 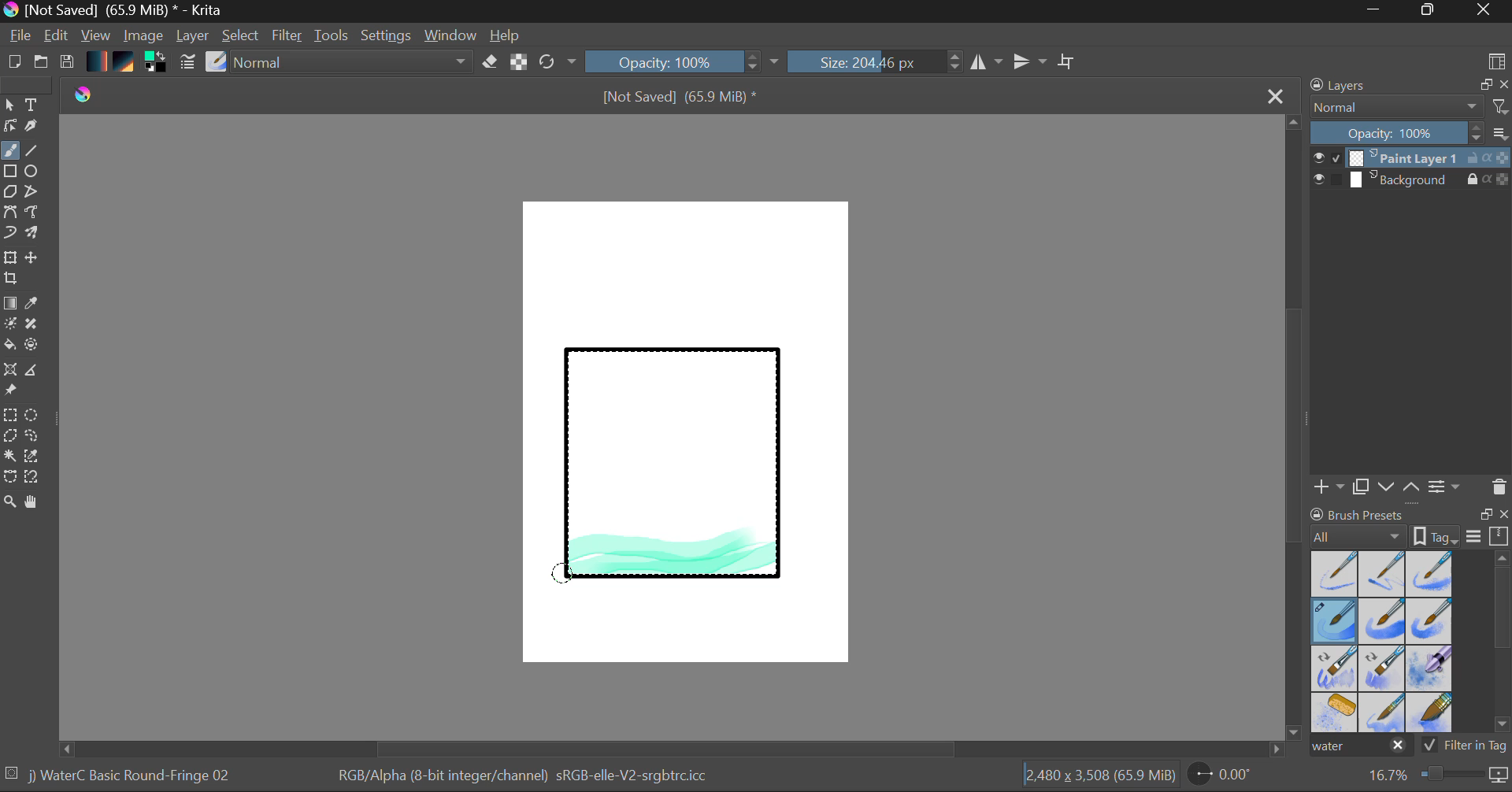 I want to click on Lock Alpha, so click(x=517, y=63).